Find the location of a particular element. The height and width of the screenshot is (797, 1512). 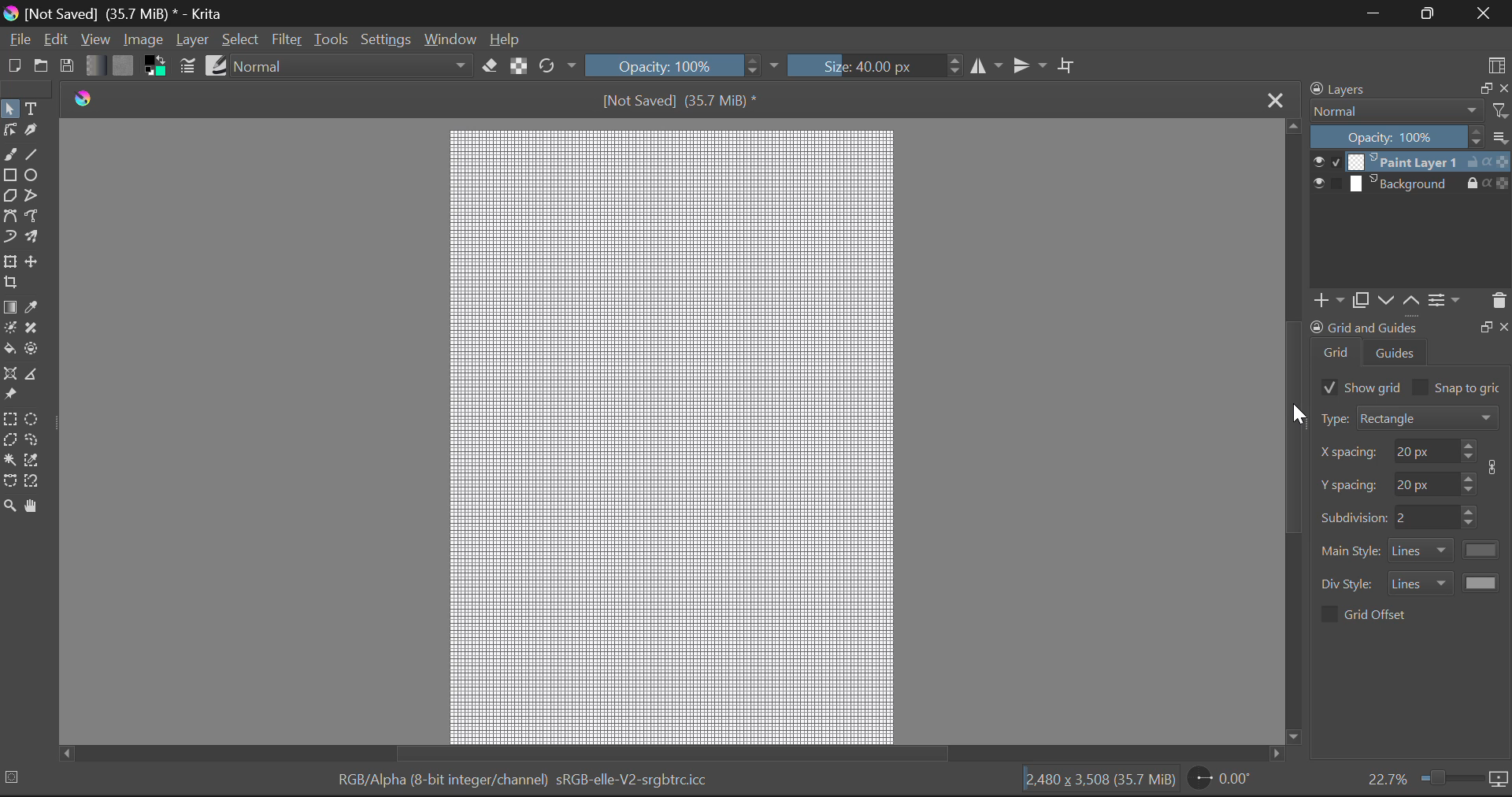

grid offer is located at coordinates (1377, 614).